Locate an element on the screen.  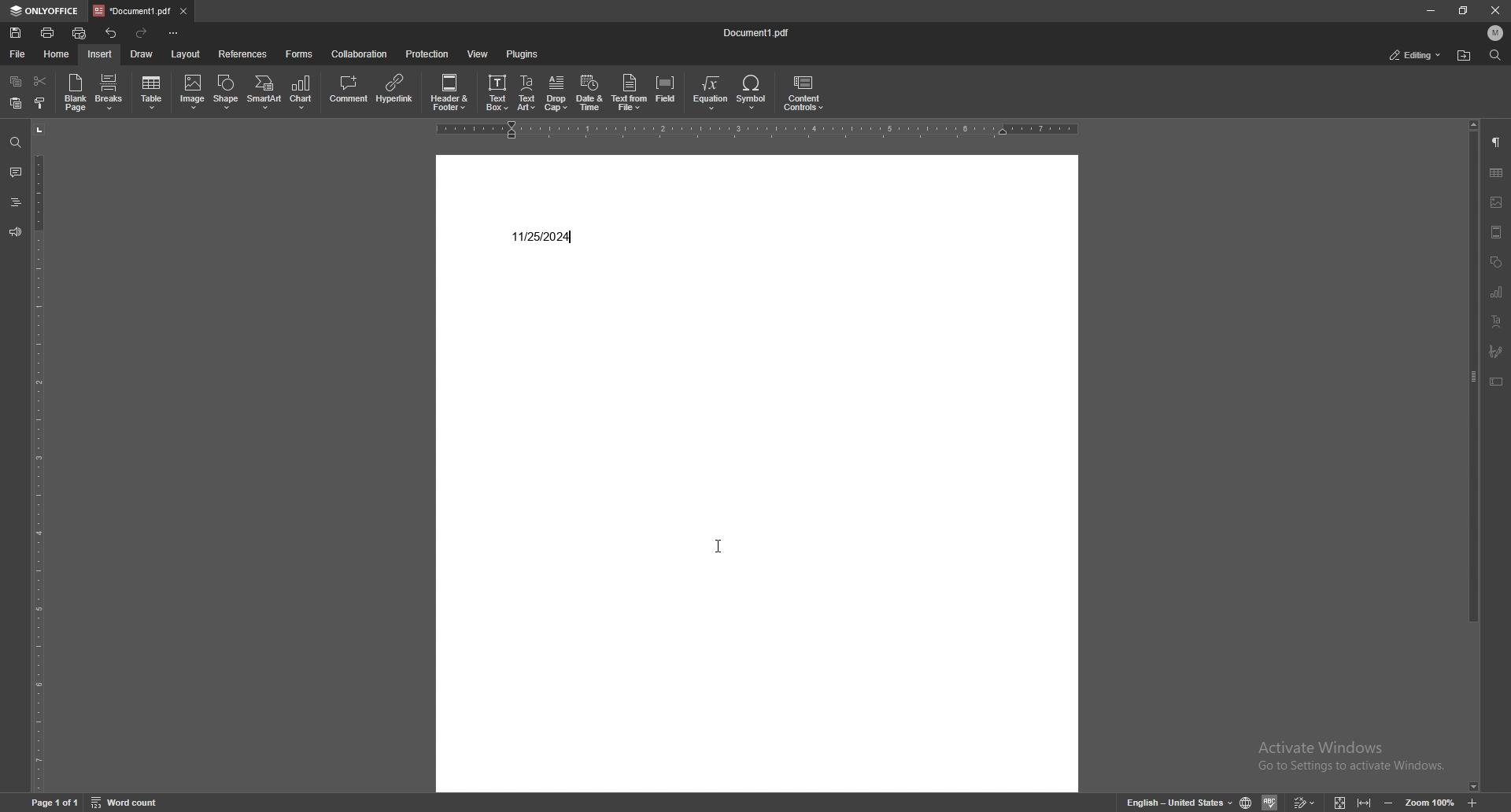
view is located at coordinates (1496, 232).